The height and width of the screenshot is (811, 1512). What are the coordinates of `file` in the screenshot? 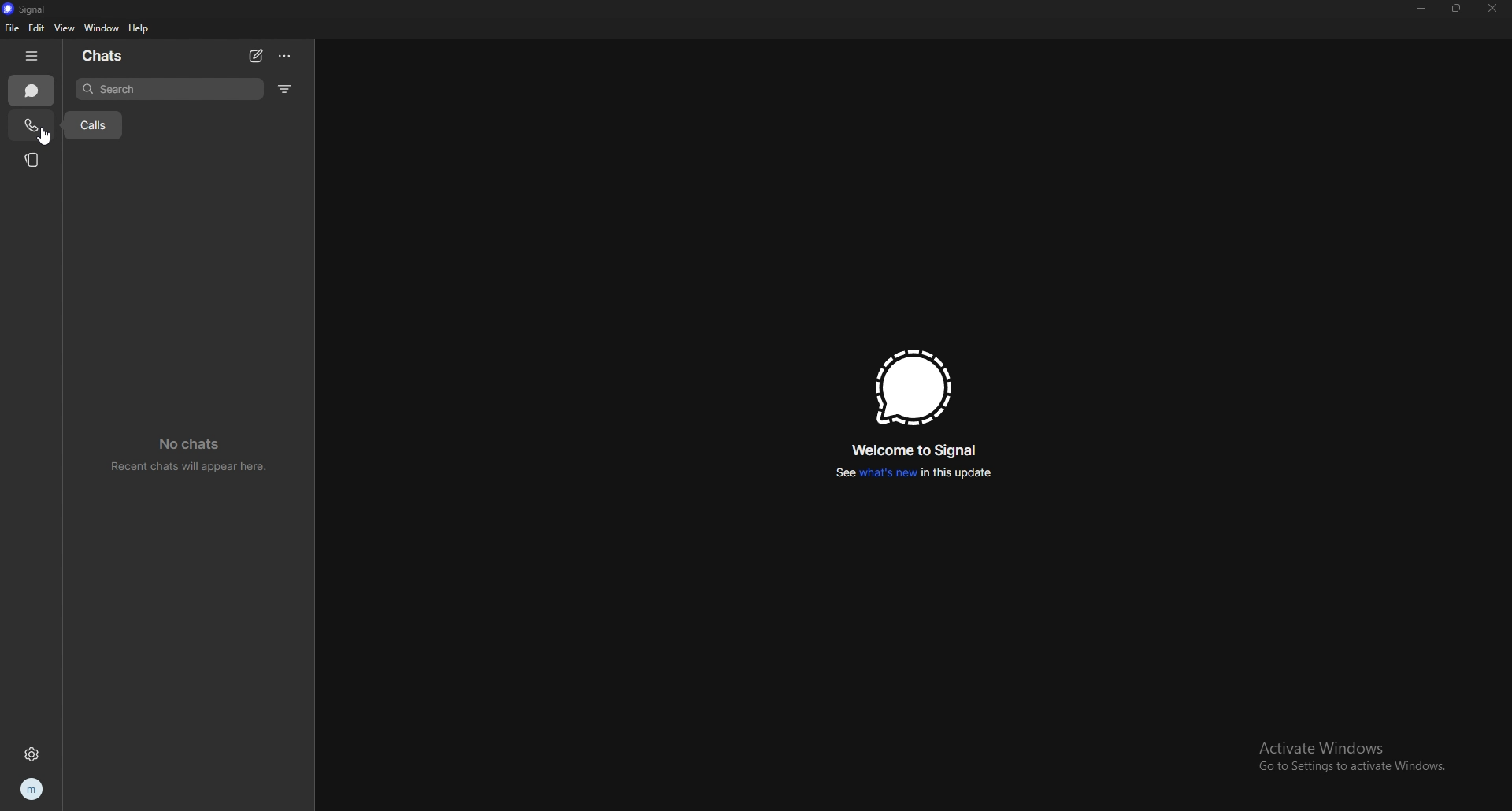 It's located at (10, 28).